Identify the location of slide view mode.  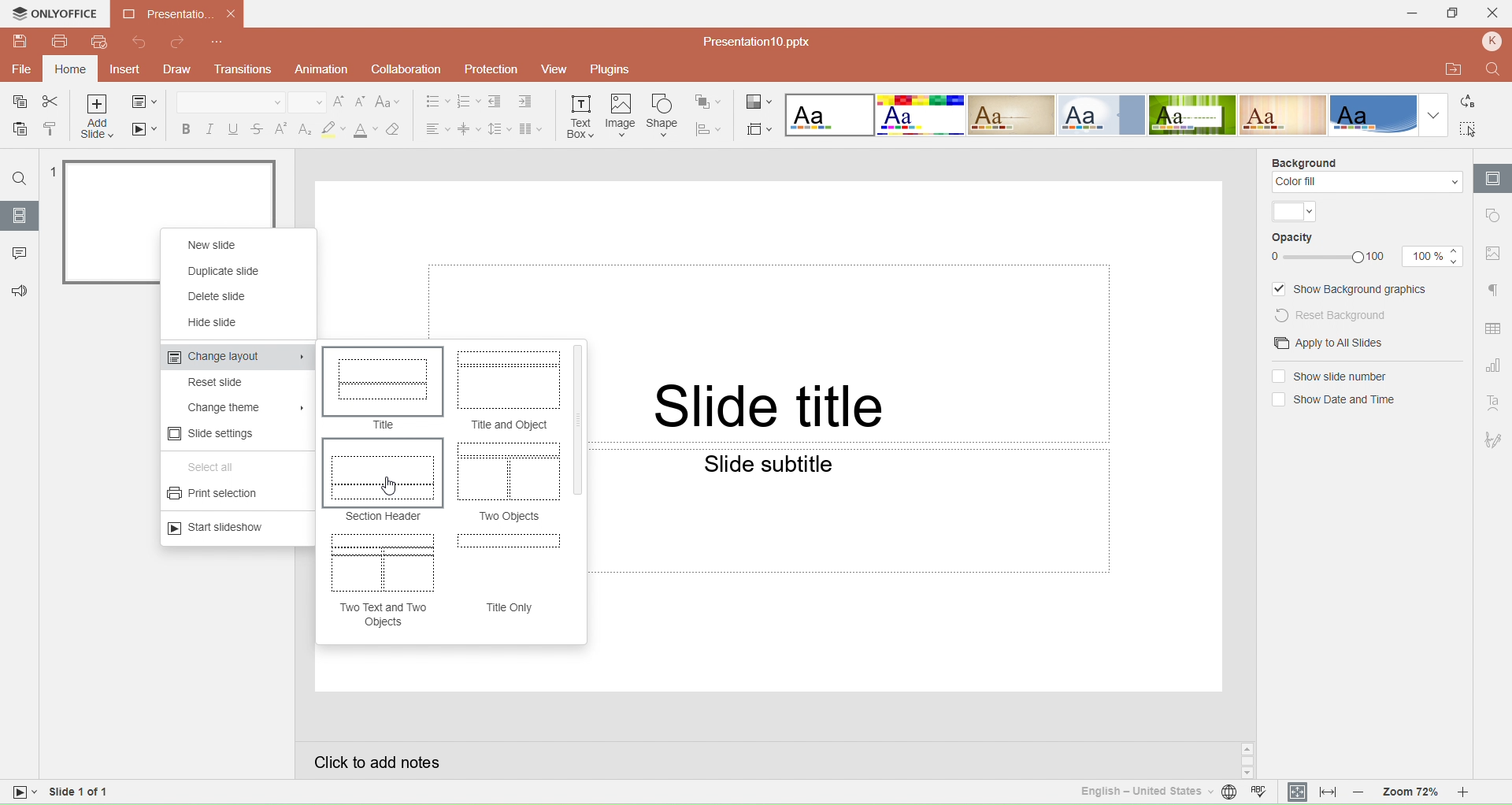
(20, 793).